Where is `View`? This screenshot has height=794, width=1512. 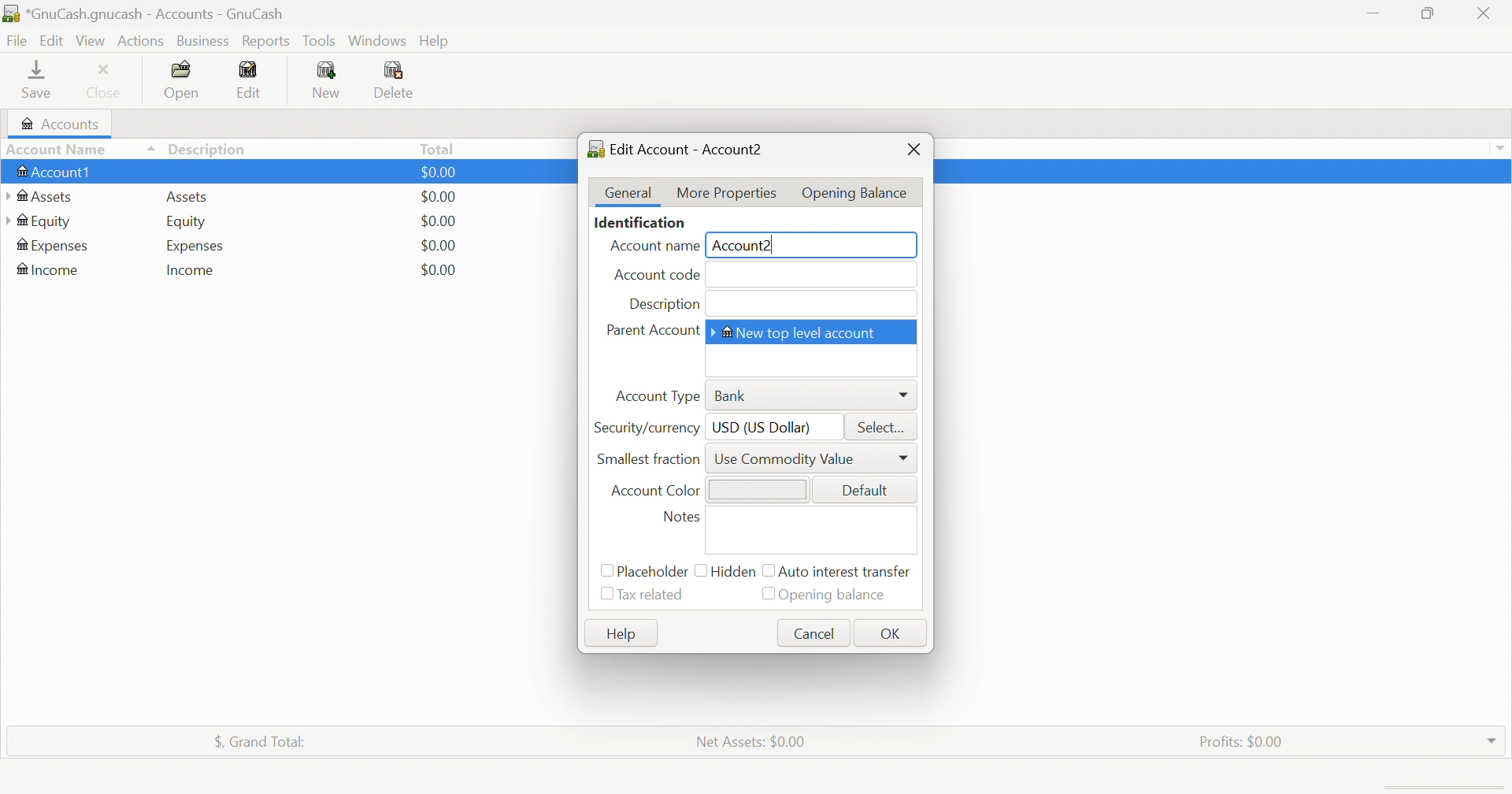 View is located at coordinates (91, 41).